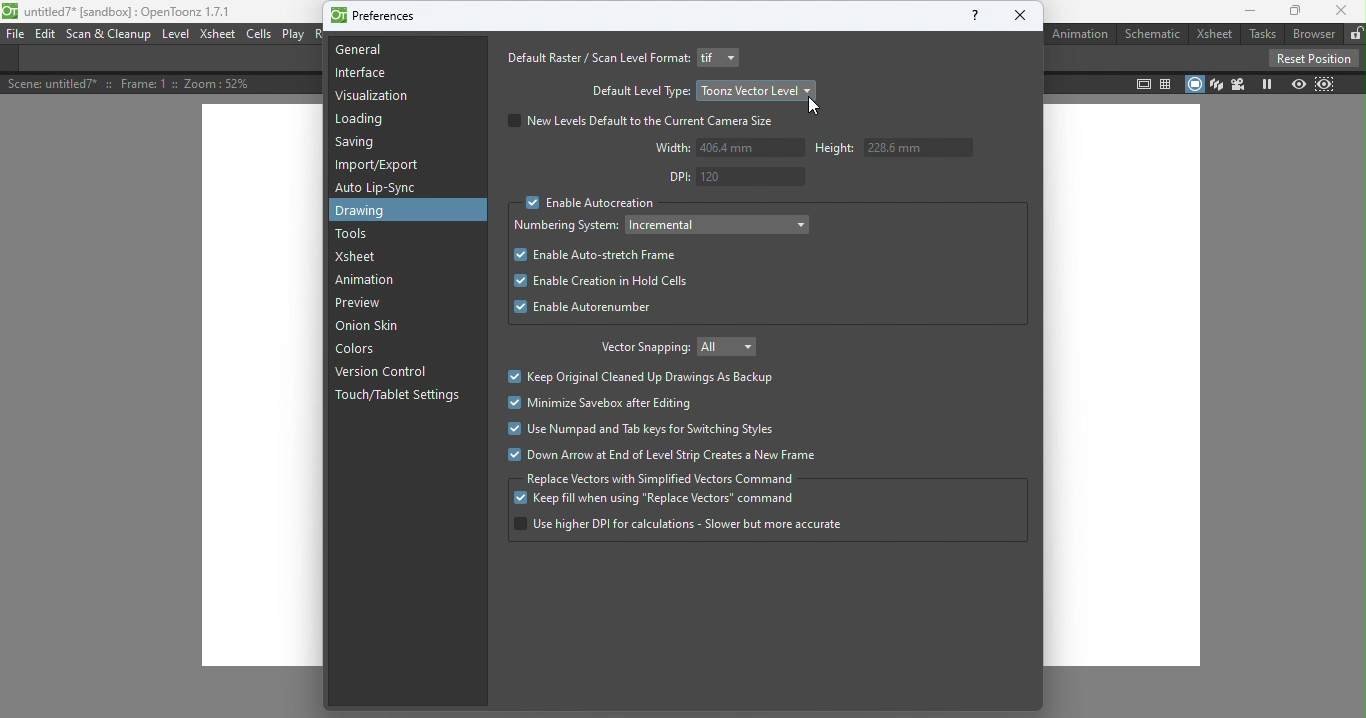 The image size is (1366, 718). I want to click on Lock rooms tab, so click(1355, 34).